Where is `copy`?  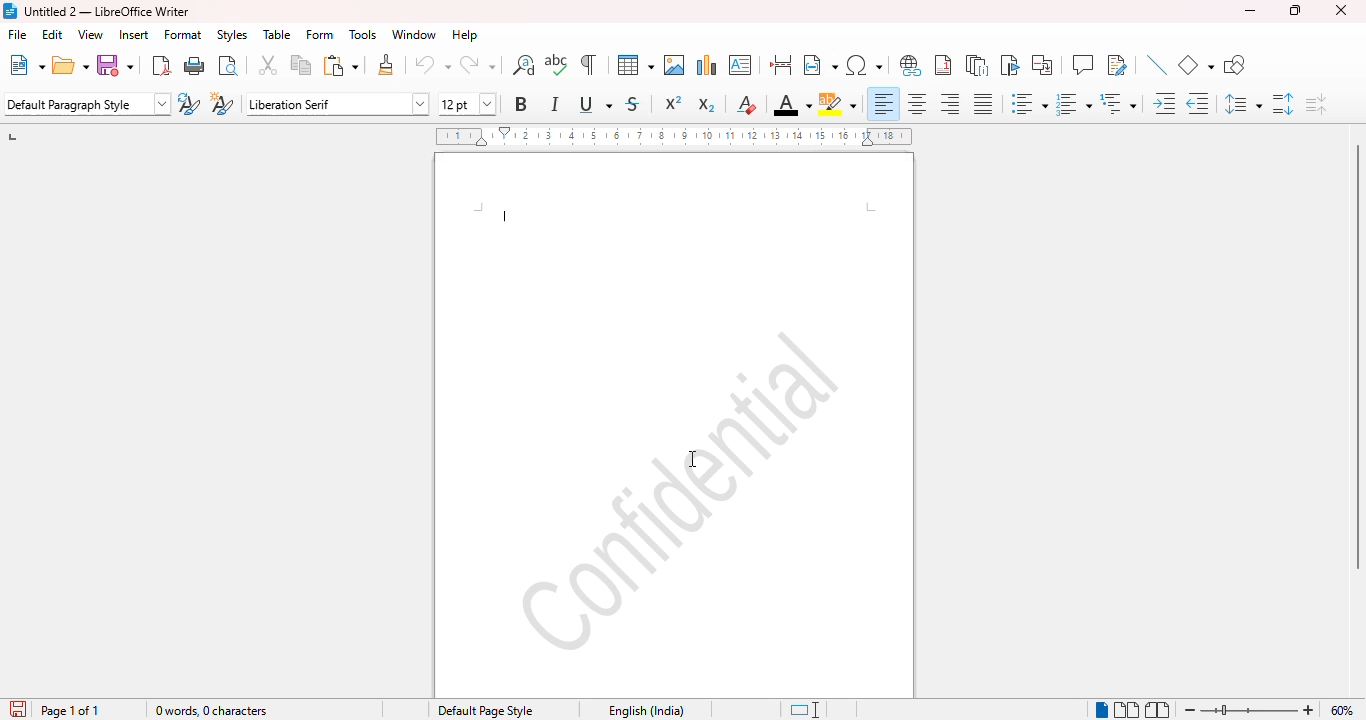 copy is located at coordinates (301, 64).